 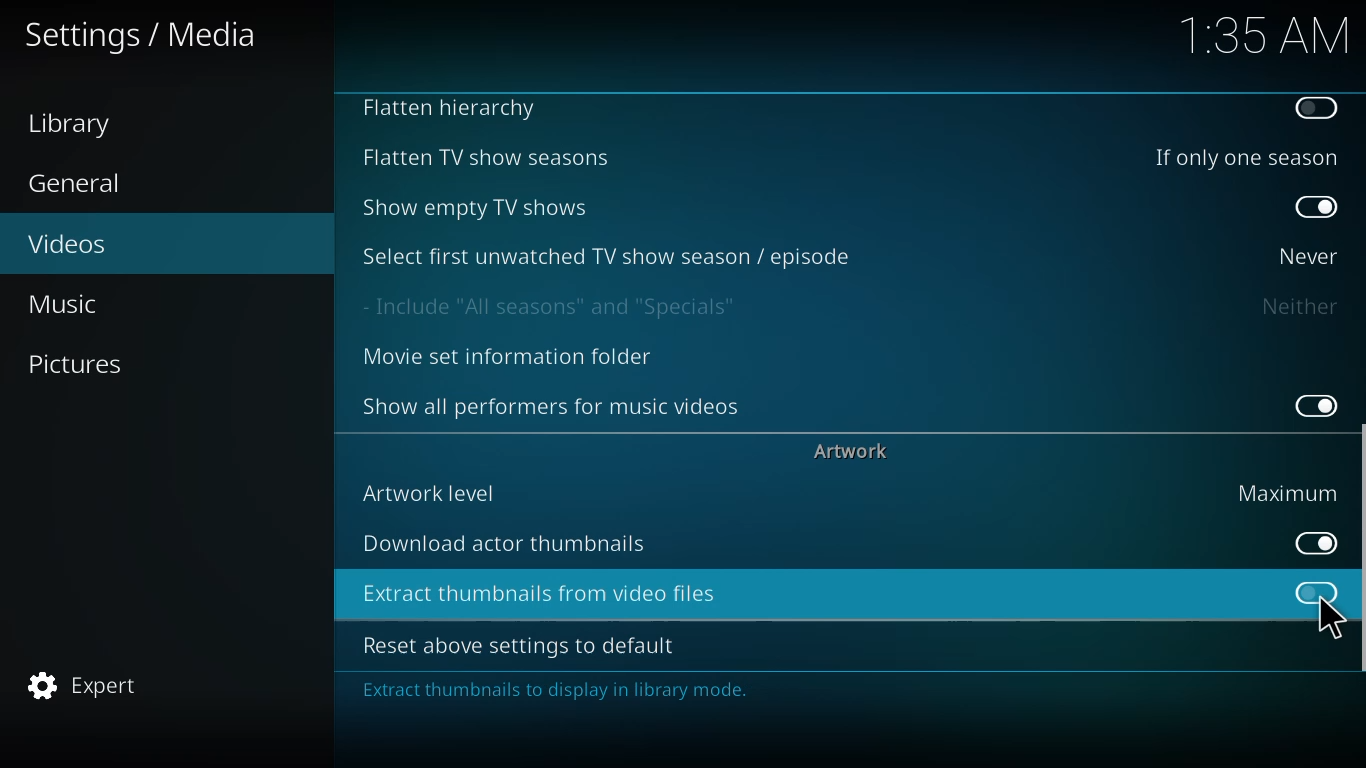 I want to click on info, so click(x=560, y=693).